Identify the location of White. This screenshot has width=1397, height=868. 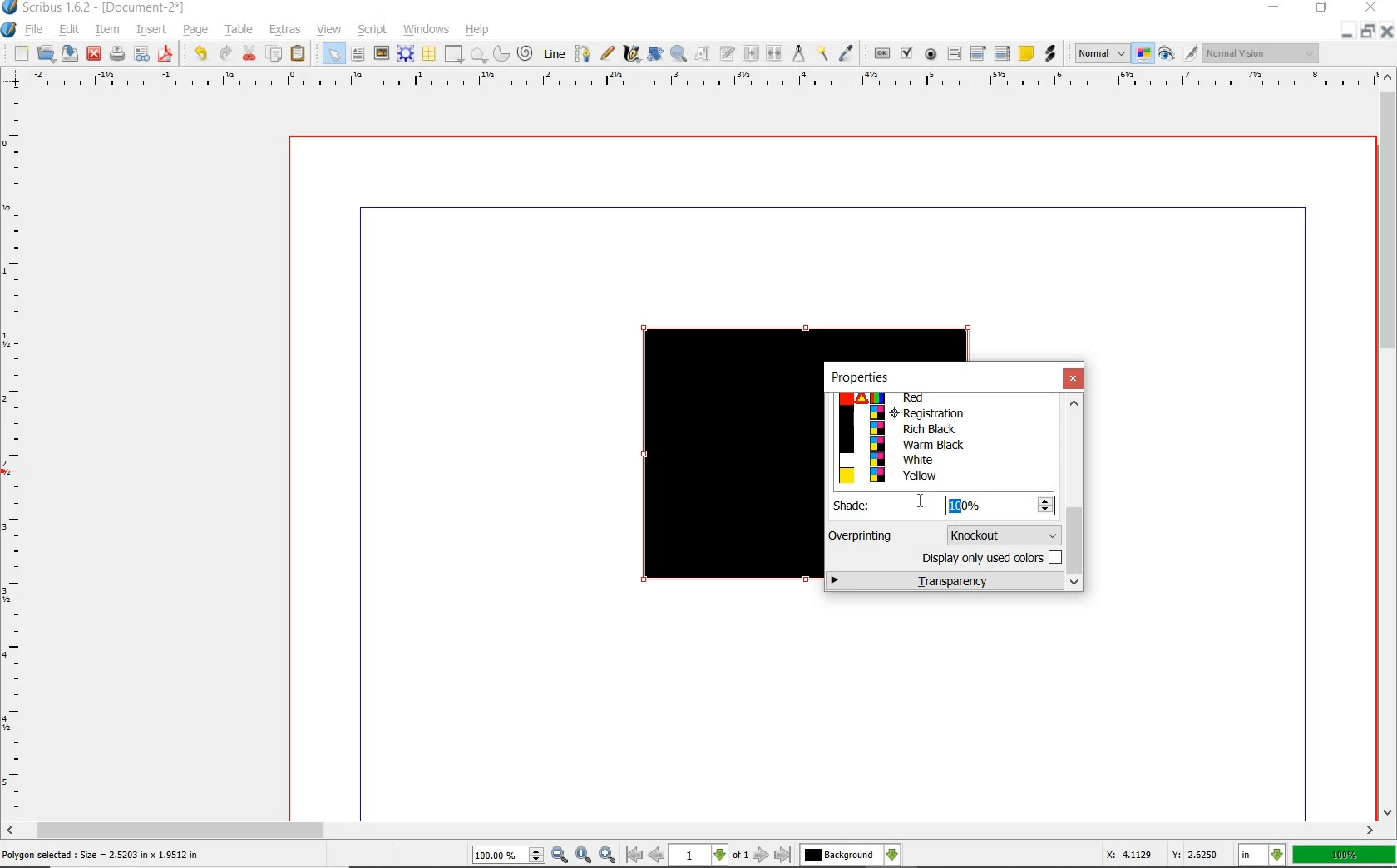
(940, 459).